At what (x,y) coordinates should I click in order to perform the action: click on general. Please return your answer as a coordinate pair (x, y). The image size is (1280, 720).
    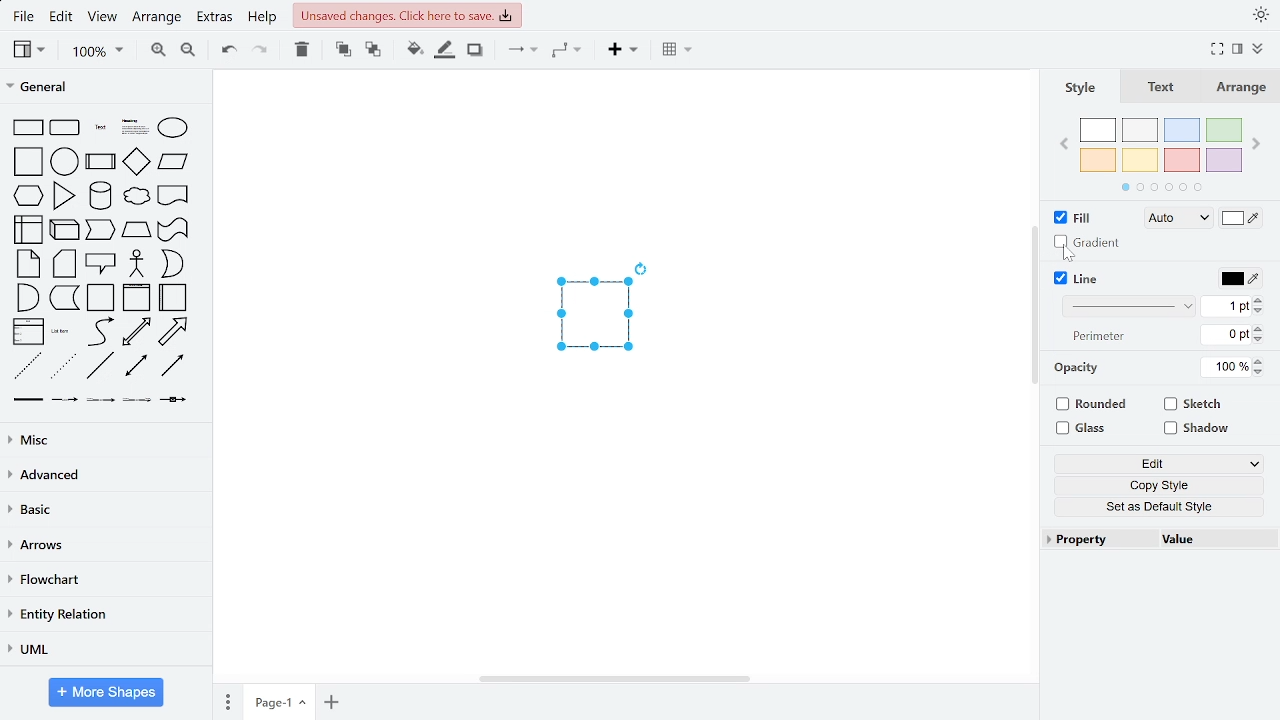
    Looking at the image, I should click on (102, 86).